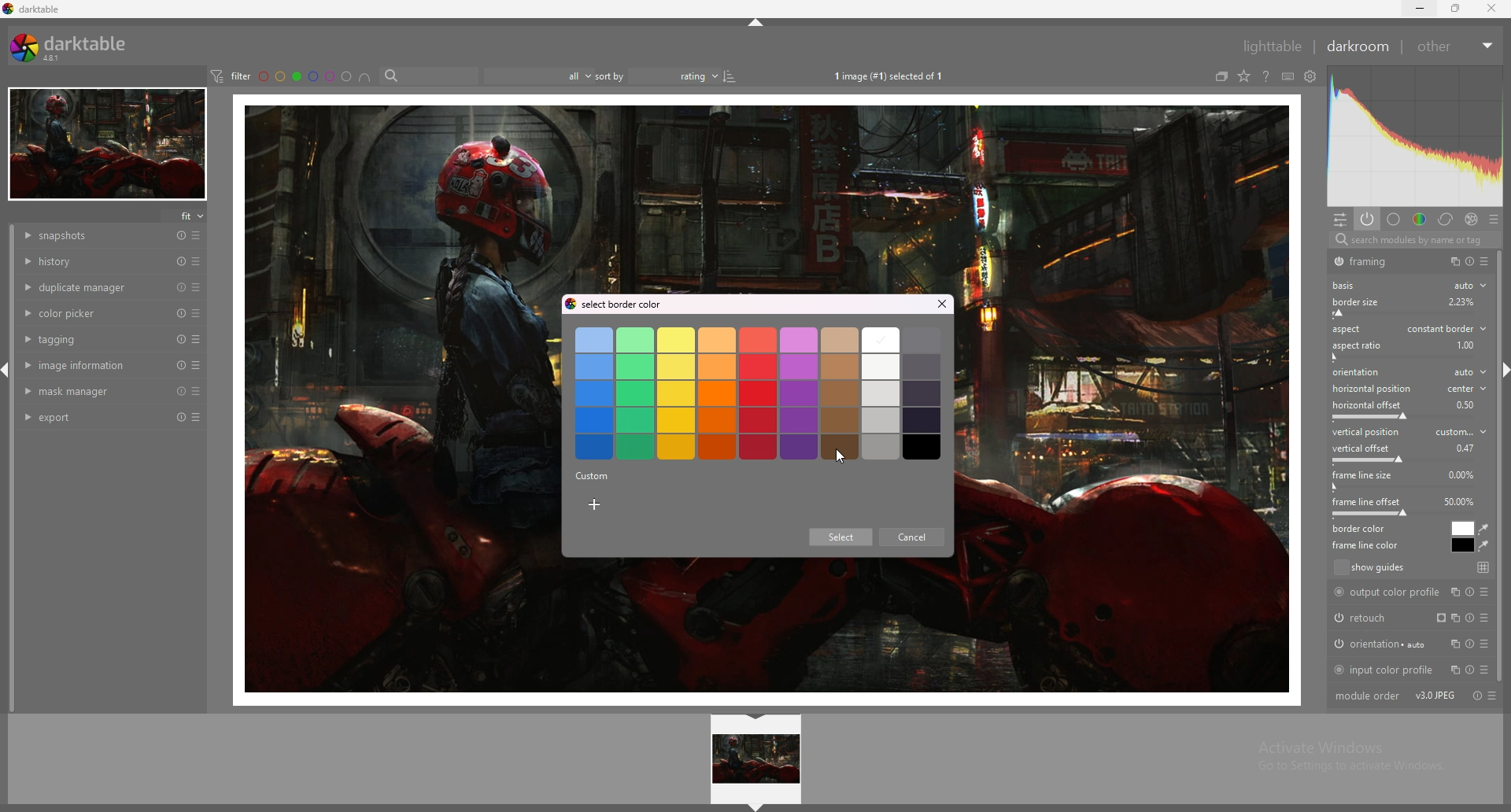 This screenshot has width=1511, height=812. Describe the element at coordinates (1491, 9) in the screenshot. I see `close` at that location.